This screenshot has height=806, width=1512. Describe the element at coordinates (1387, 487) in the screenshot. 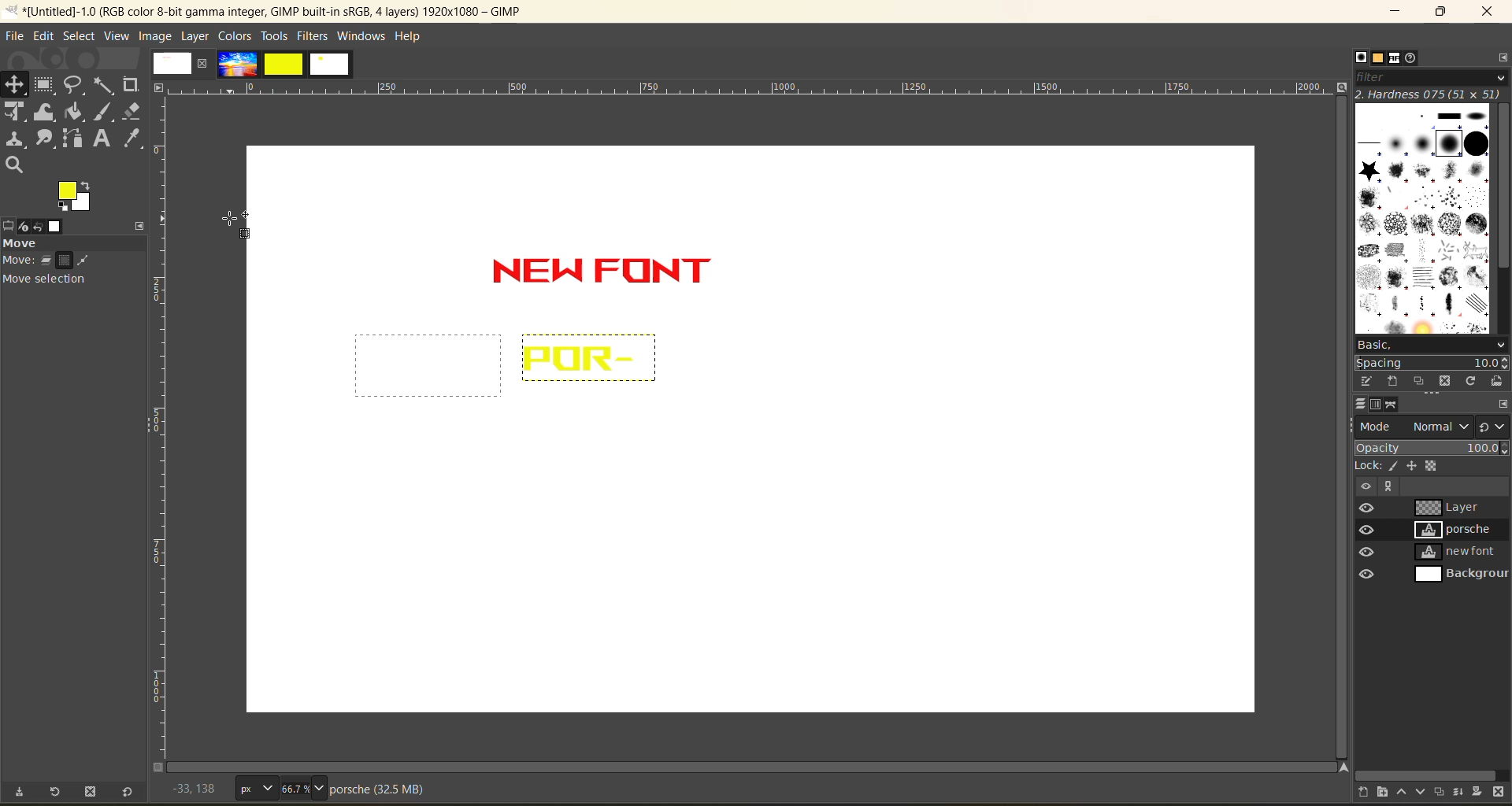

I see `` at that location.